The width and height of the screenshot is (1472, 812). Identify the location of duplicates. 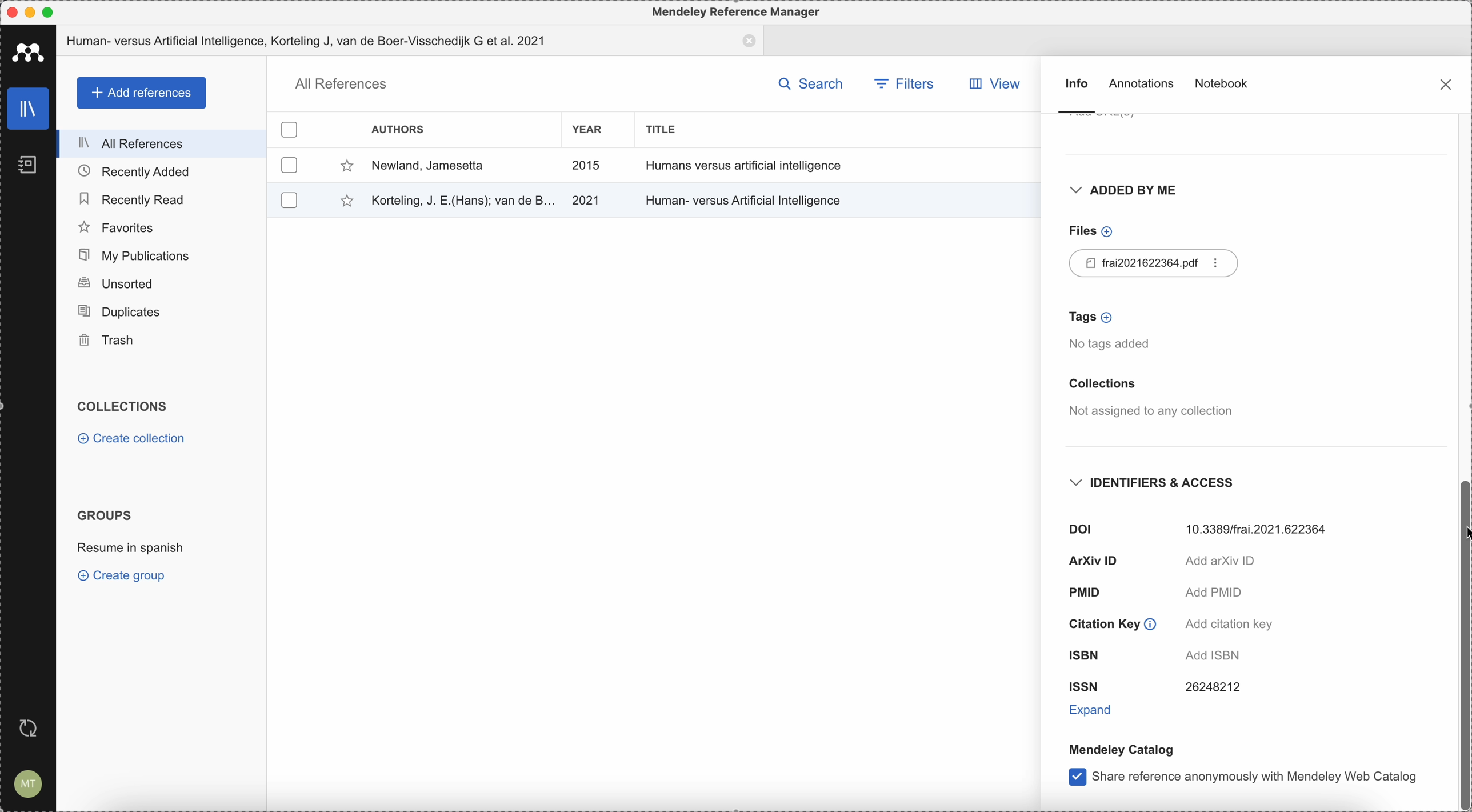
(160, 313).